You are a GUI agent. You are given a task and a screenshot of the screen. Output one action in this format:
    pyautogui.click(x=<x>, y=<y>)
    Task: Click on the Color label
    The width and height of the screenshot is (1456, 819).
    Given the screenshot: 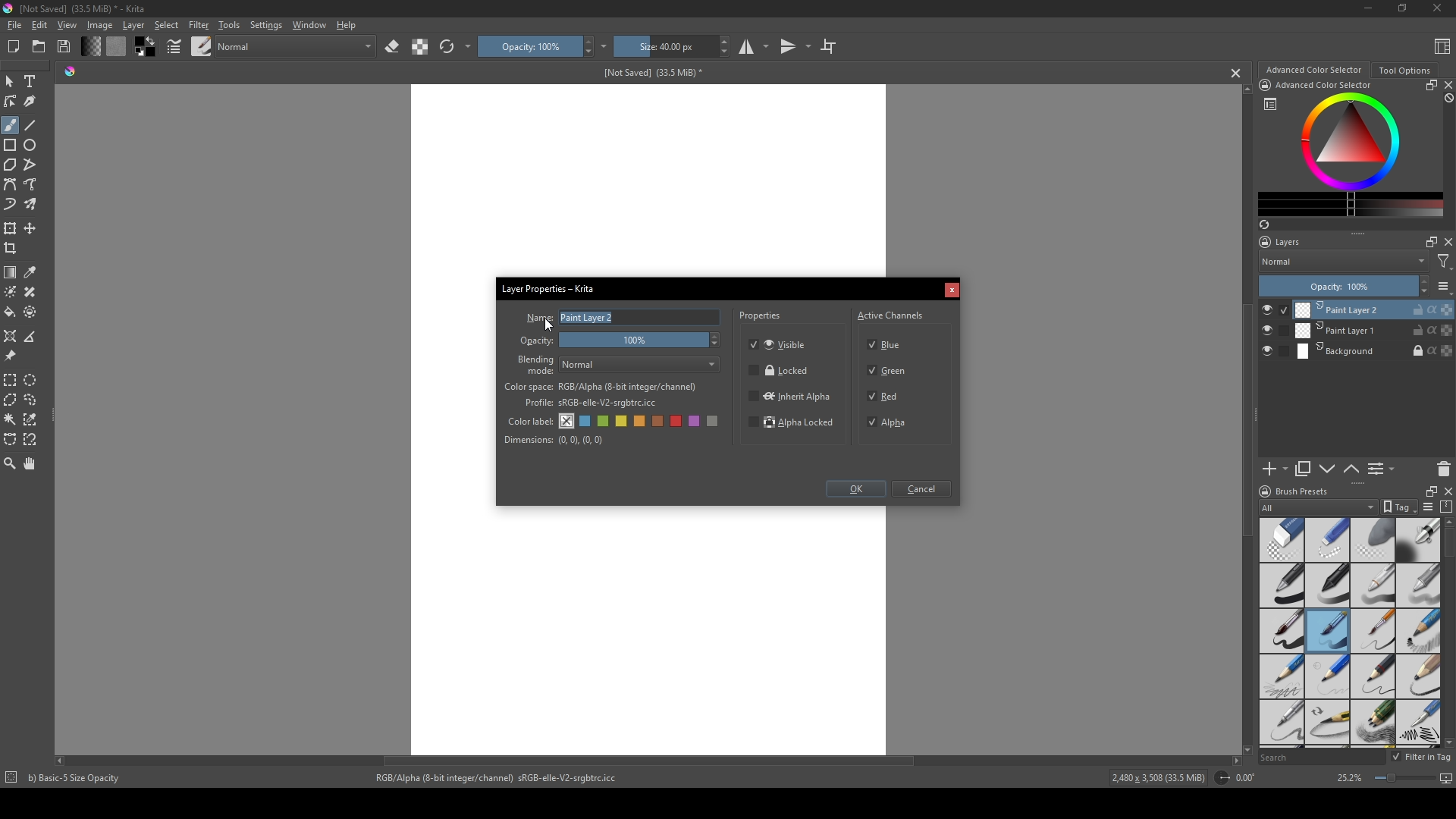 What is the action you would take?
    pyautogui.click(x=529, y=419)
    